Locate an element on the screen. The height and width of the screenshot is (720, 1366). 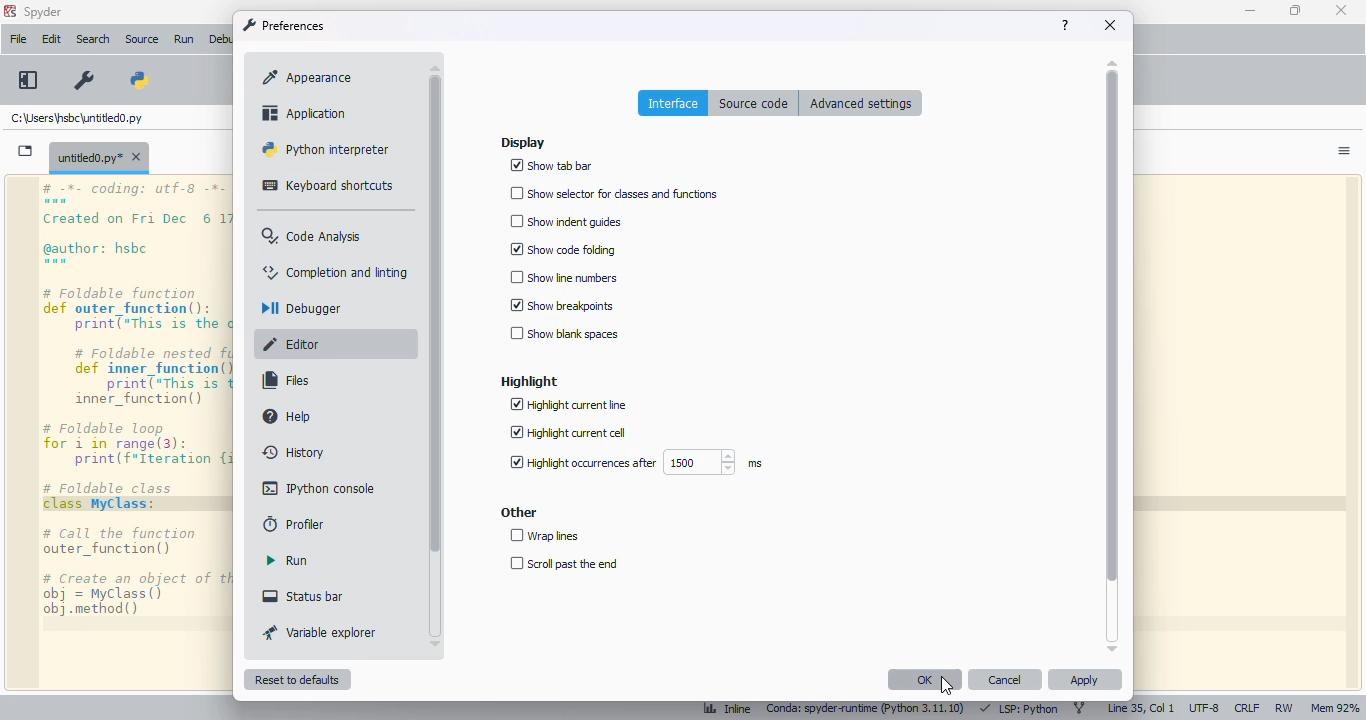
PYTHONPATH manager is located at coordinates (138, 80).